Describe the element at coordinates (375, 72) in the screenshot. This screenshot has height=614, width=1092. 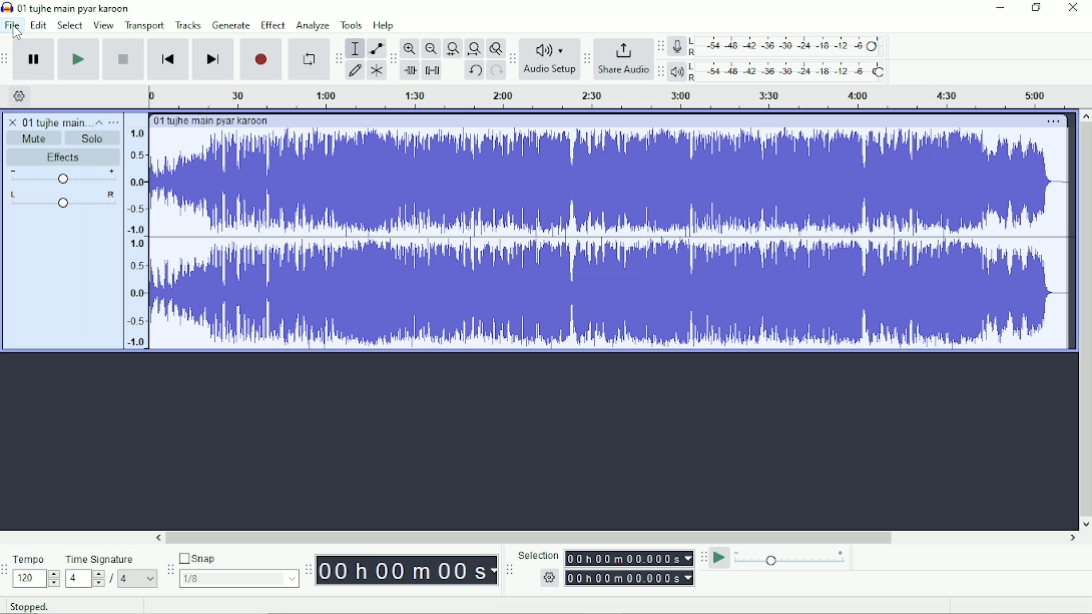
I see `Multi-tool` at that location.